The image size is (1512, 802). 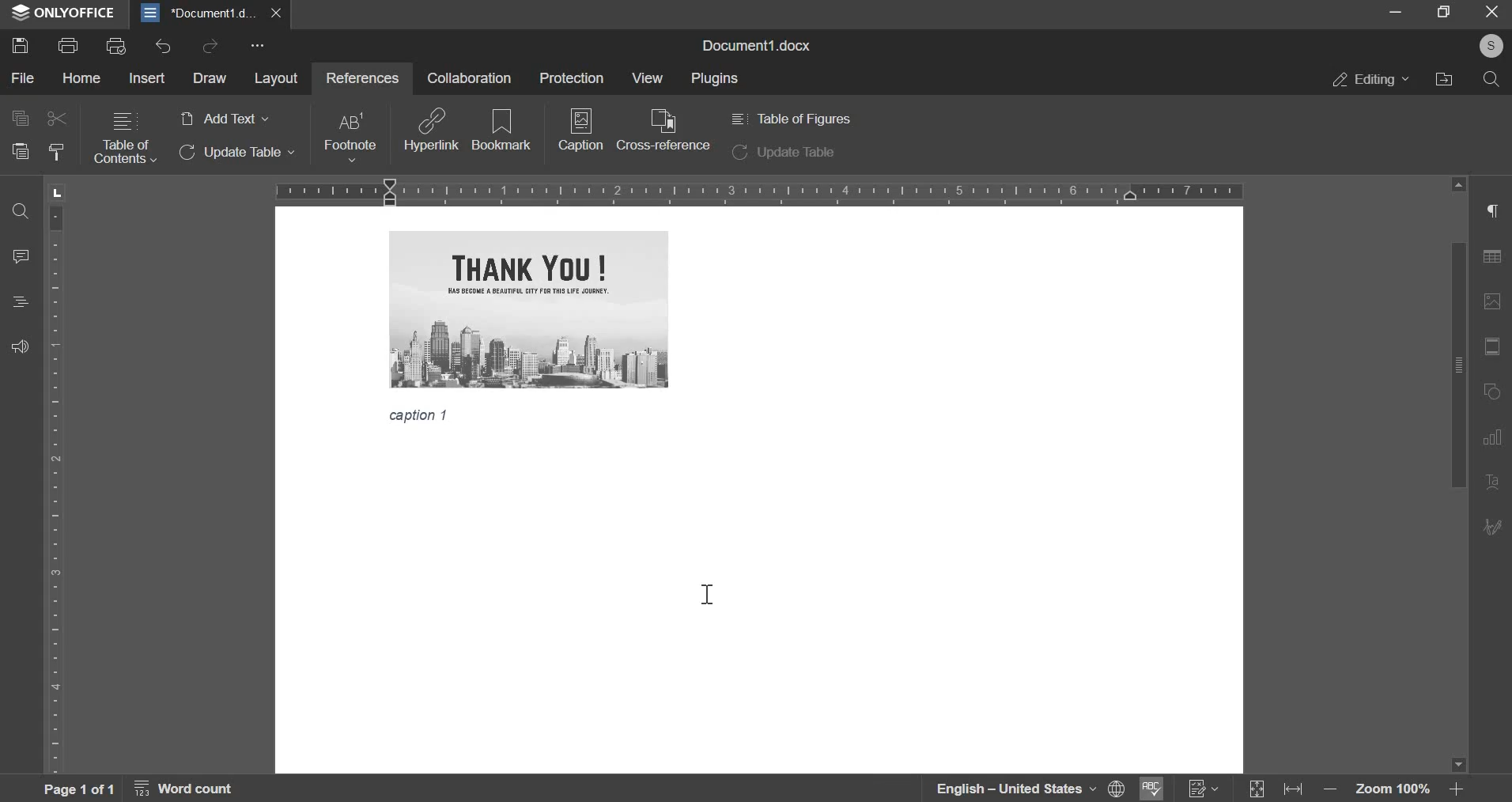 I want to click on protection, so click(x=571, y=77).